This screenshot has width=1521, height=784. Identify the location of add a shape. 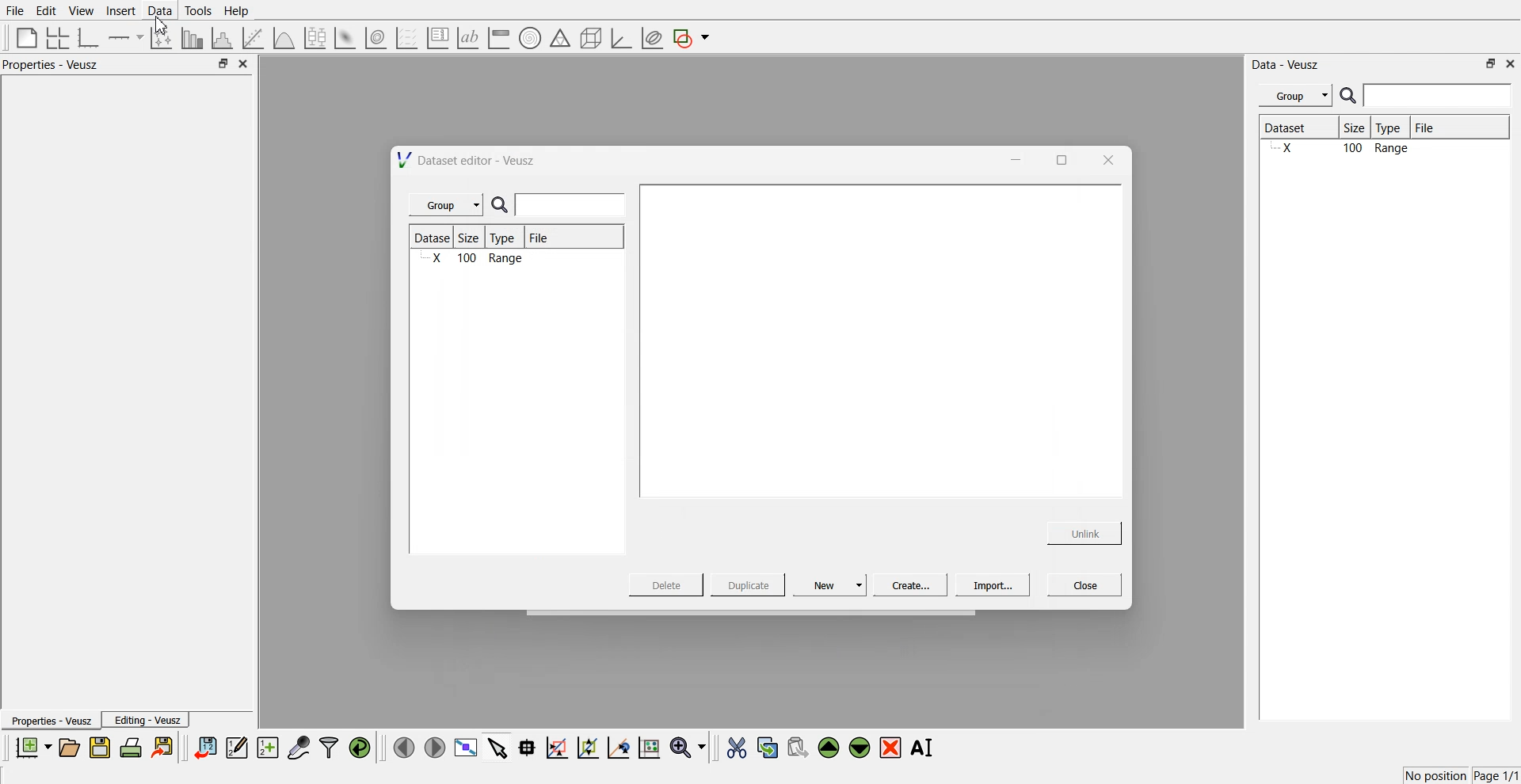
(692, 39).